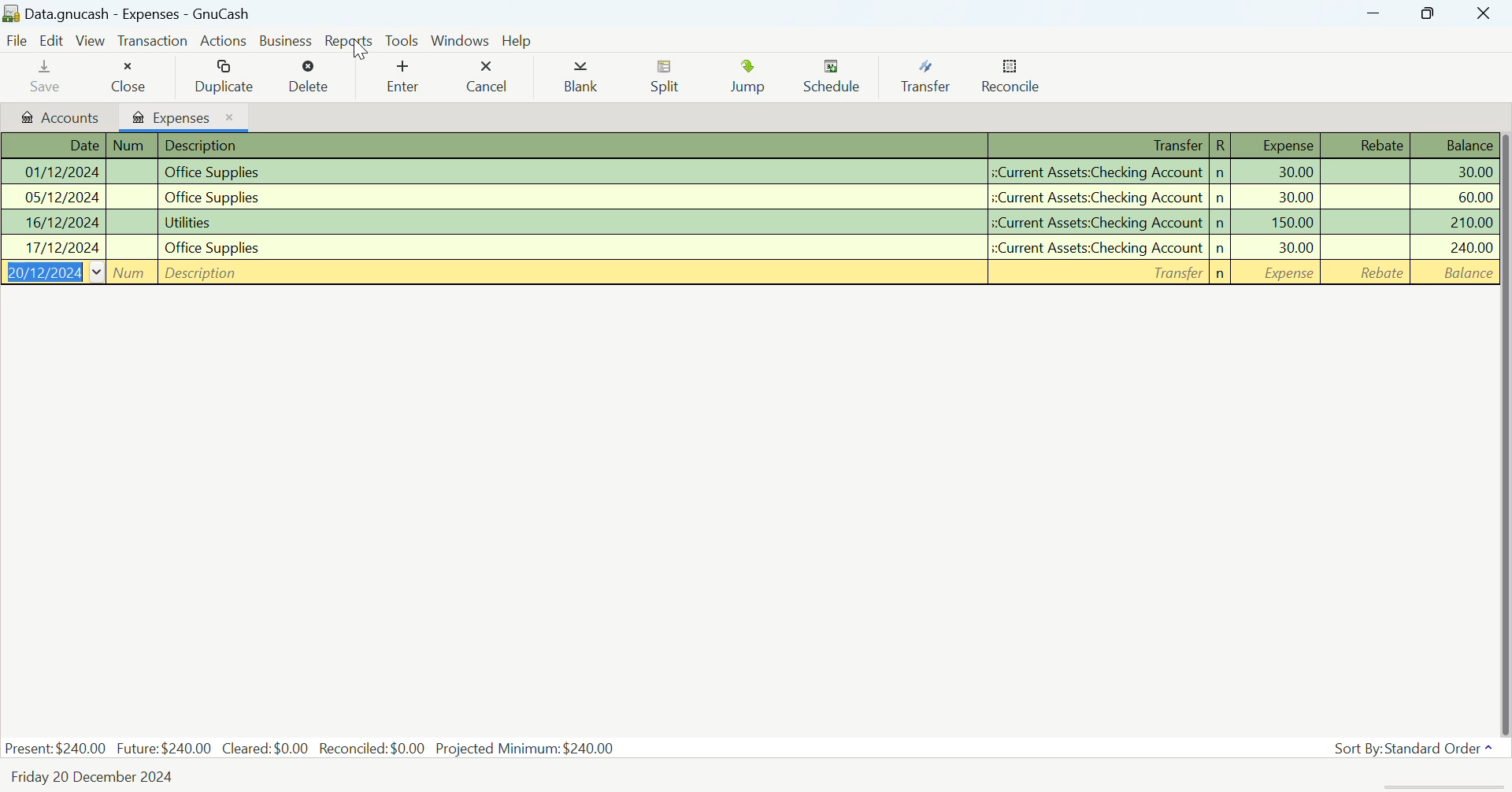 This screenshot has height=792, width=1512. Describe the element at coordinates (152, 41) in the screenshot. I see `Transaction` at that location.